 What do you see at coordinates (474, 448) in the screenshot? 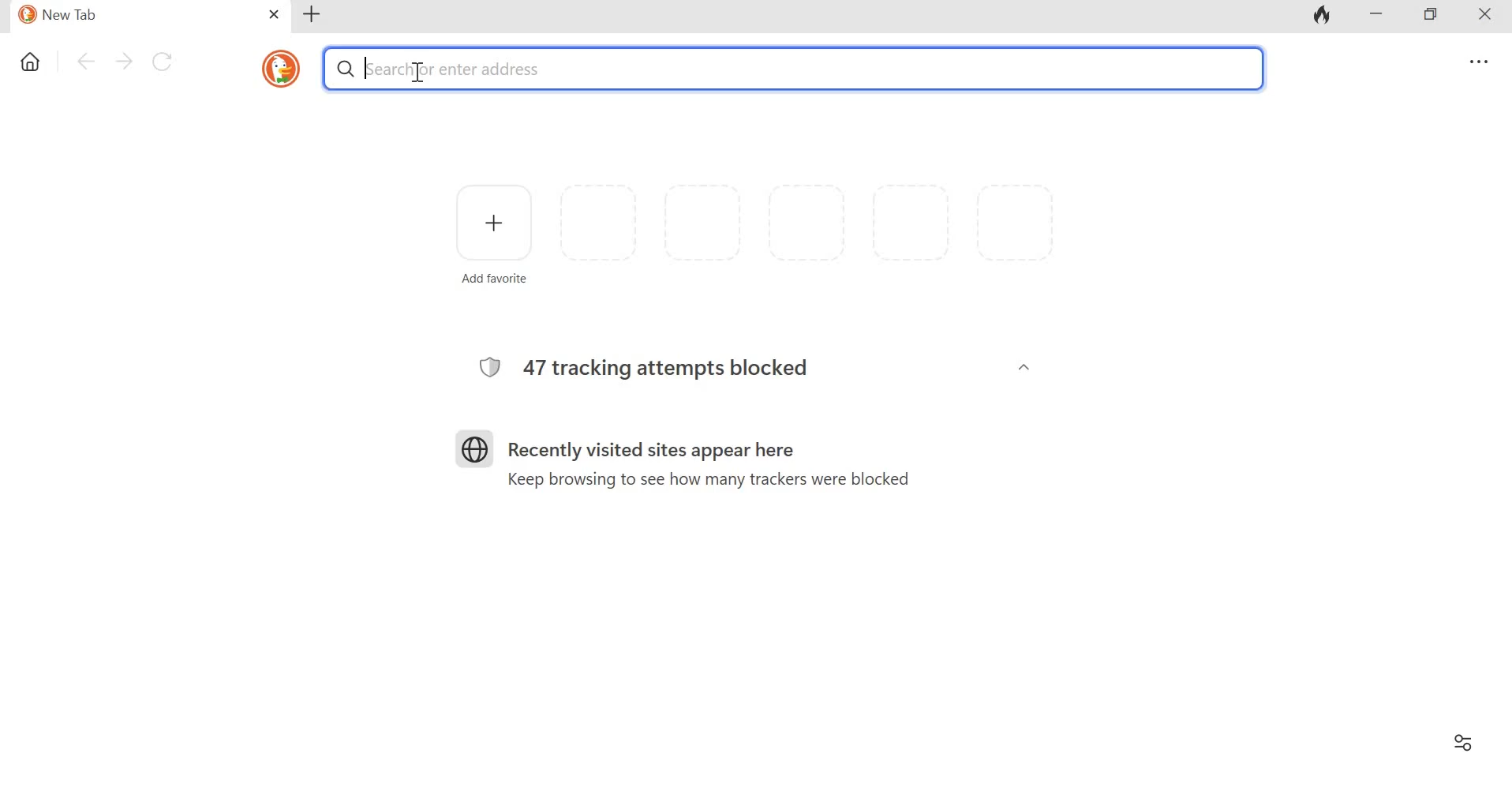
I see `globe icon` at bounding box center [474, 448].